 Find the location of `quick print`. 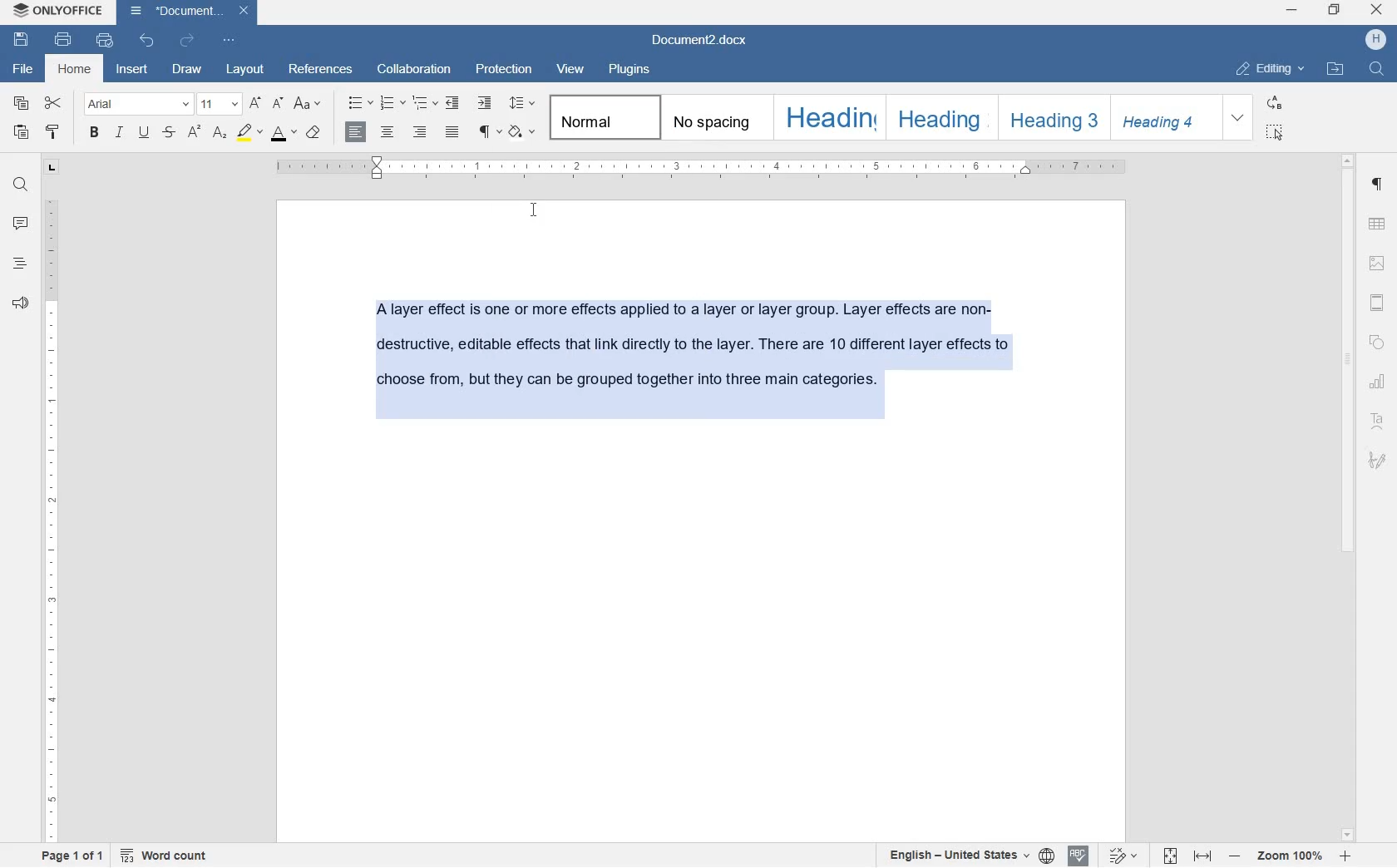

quick print is located at coordinates (104, 43).